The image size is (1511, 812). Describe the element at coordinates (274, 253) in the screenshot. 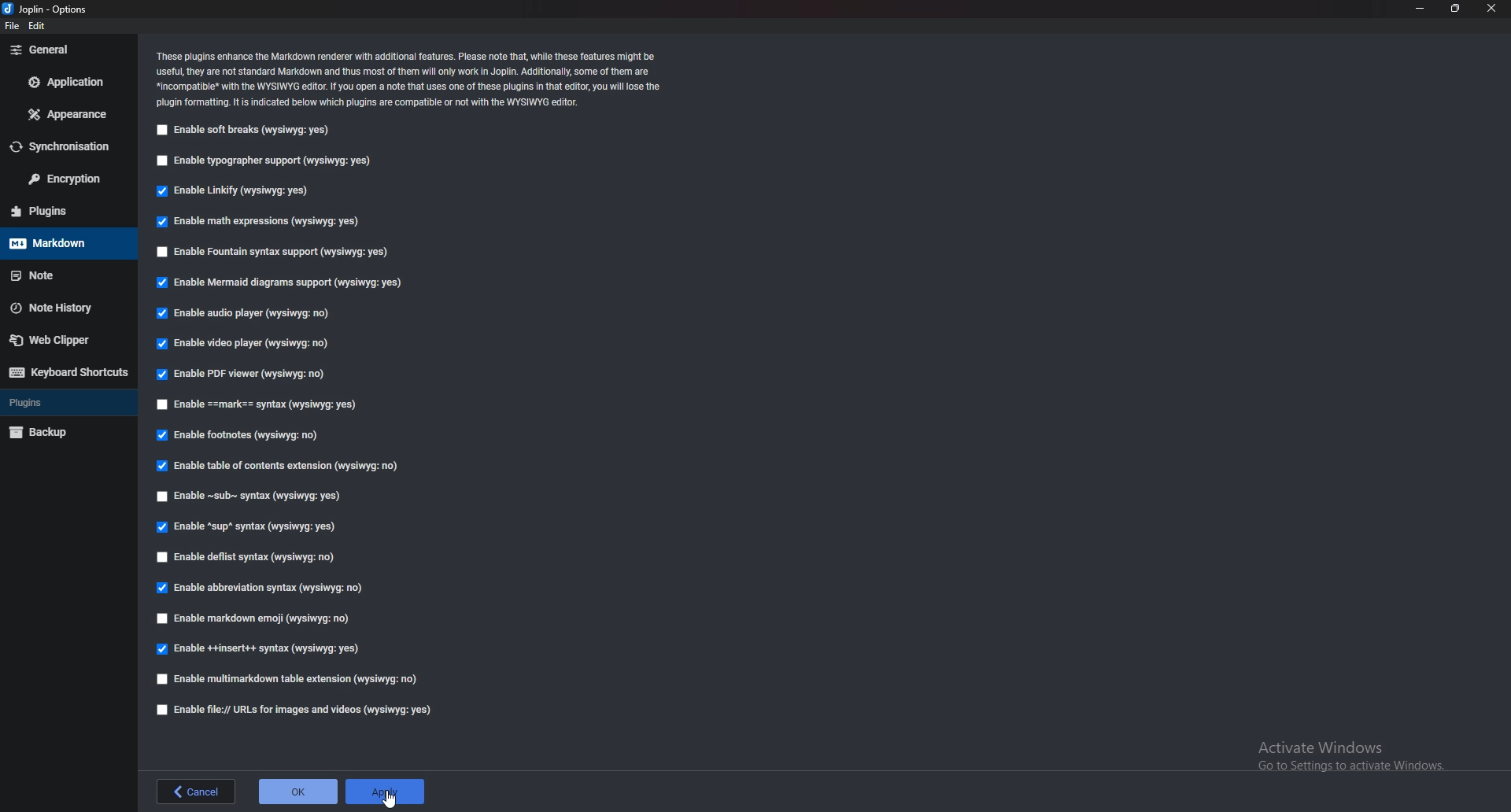

I see `Enable fountain syntax support` at that location.